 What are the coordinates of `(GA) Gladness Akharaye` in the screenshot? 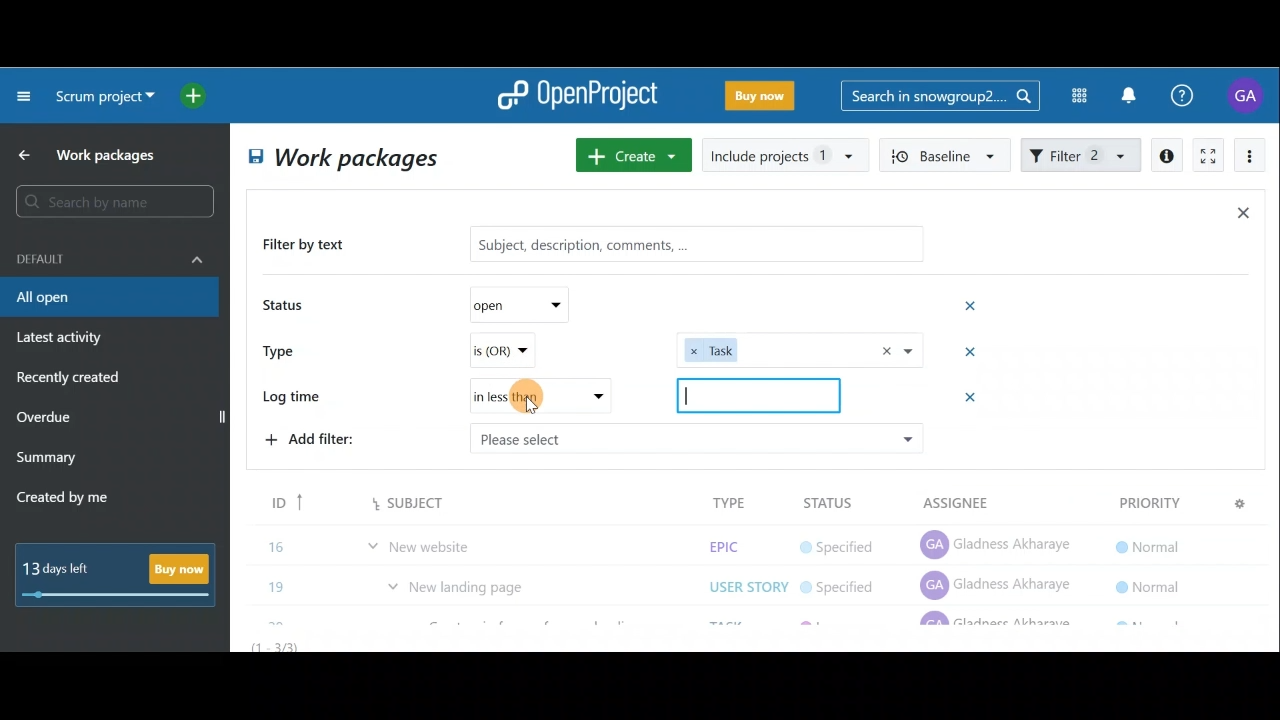 It's located at (997, 584).